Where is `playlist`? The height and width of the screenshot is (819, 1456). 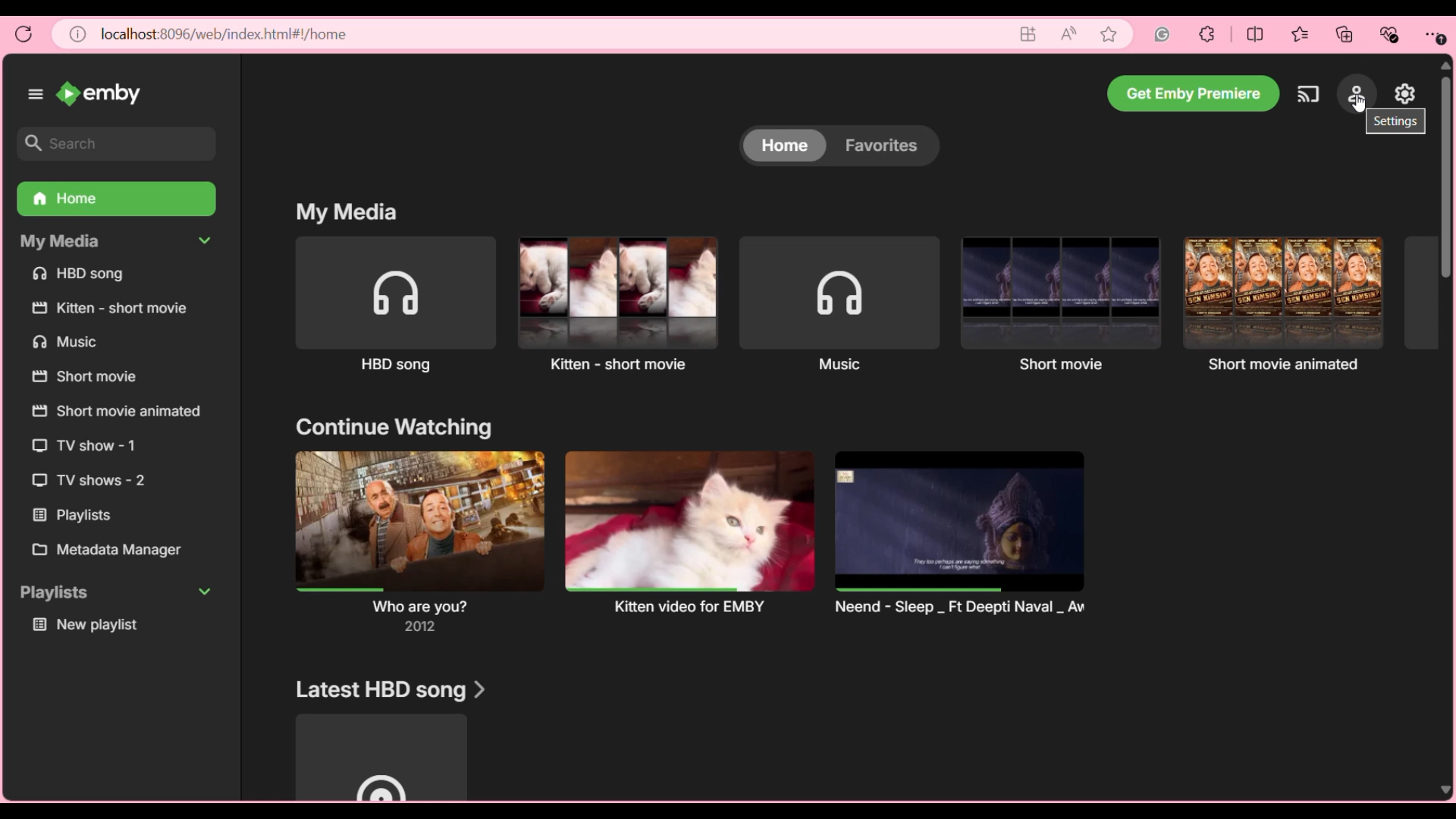
playlist is located at coordinates (75, 516).